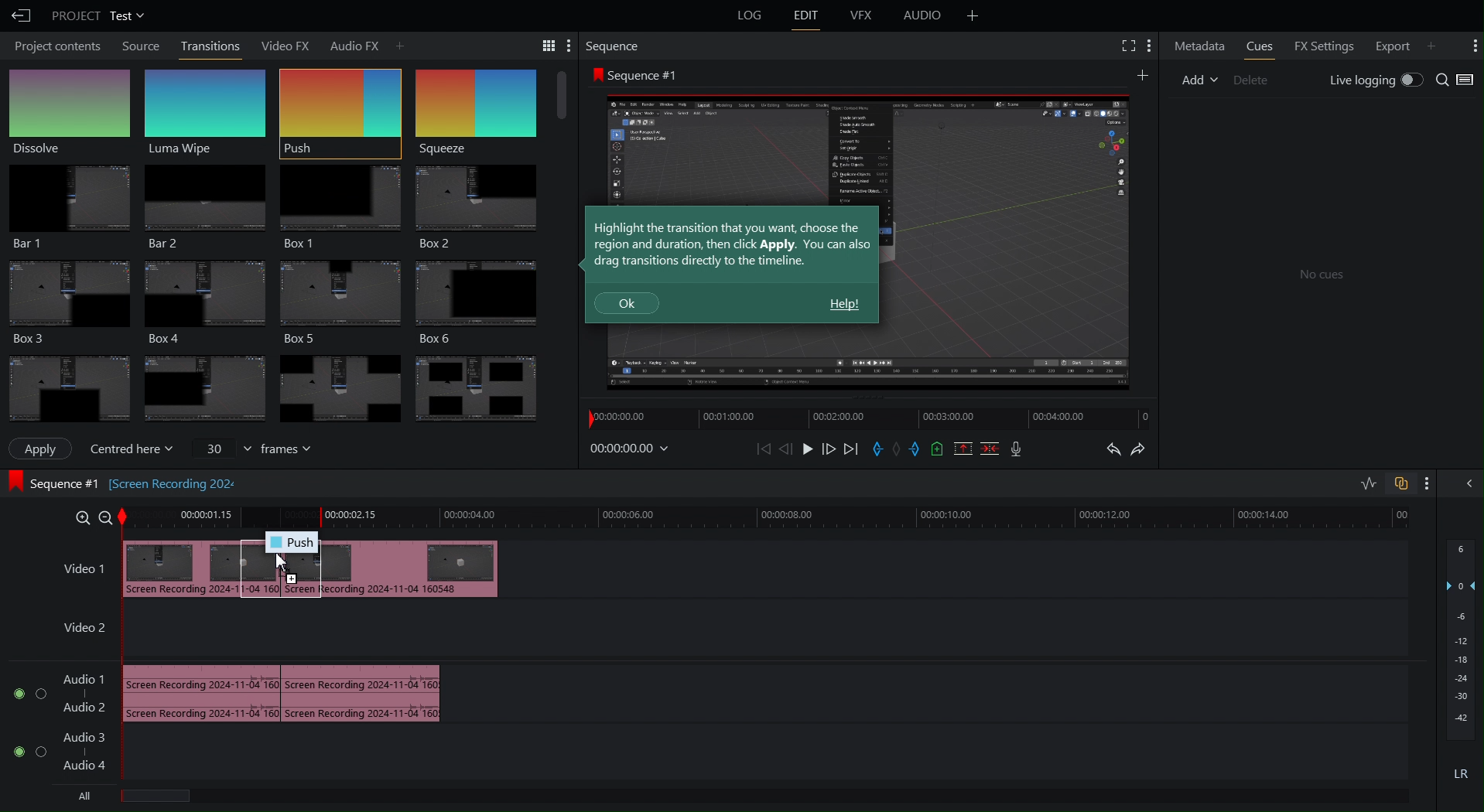 The image size is (1484, 812). I want to click on Move Back, so click(787, 449).